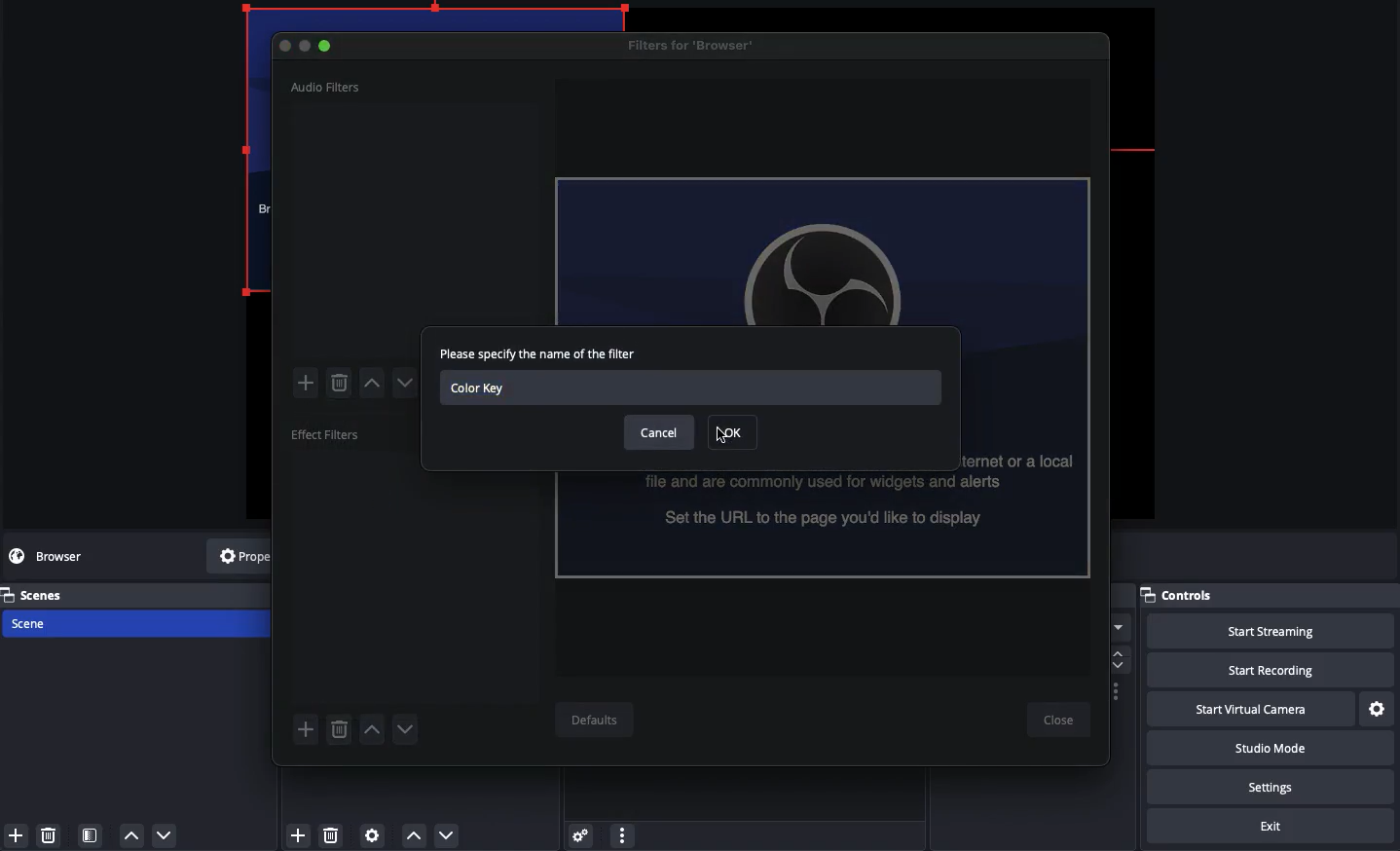  I want to click on more, so click(1117, 625).